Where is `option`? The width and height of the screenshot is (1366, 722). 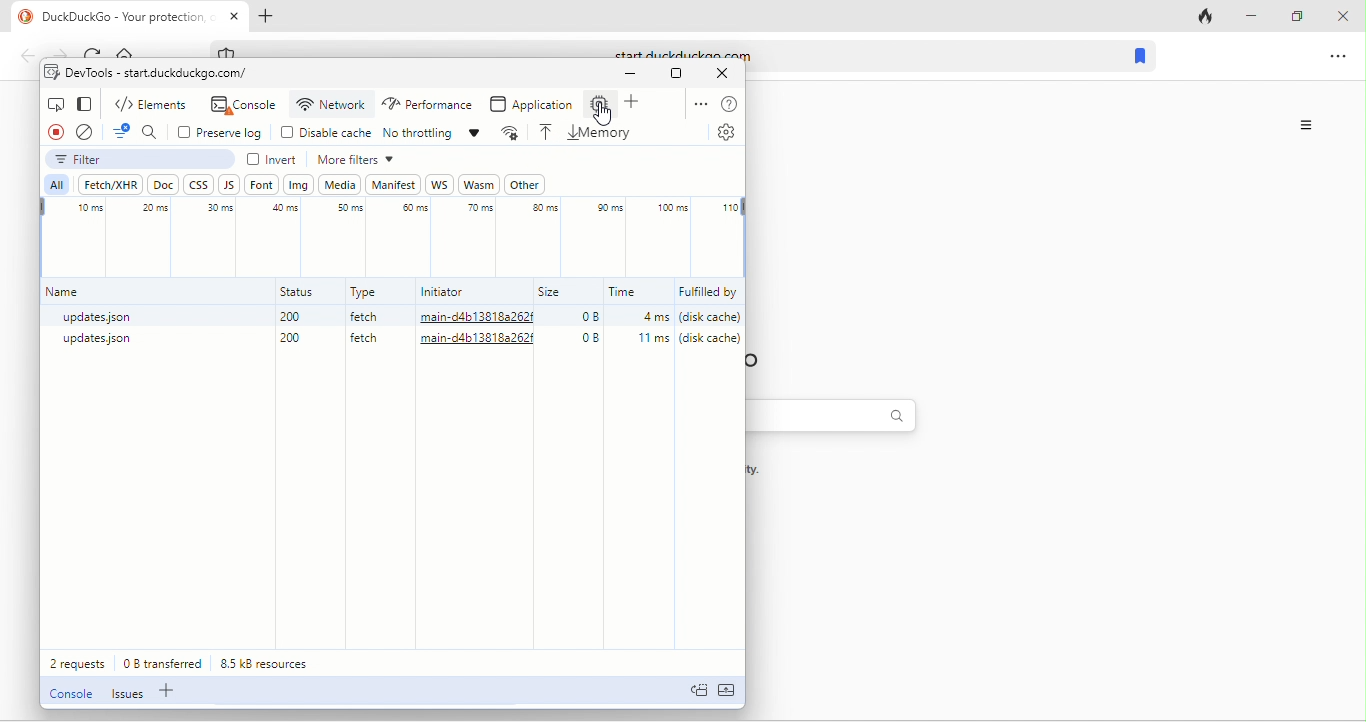
option is located at coordinates (1340, 62).